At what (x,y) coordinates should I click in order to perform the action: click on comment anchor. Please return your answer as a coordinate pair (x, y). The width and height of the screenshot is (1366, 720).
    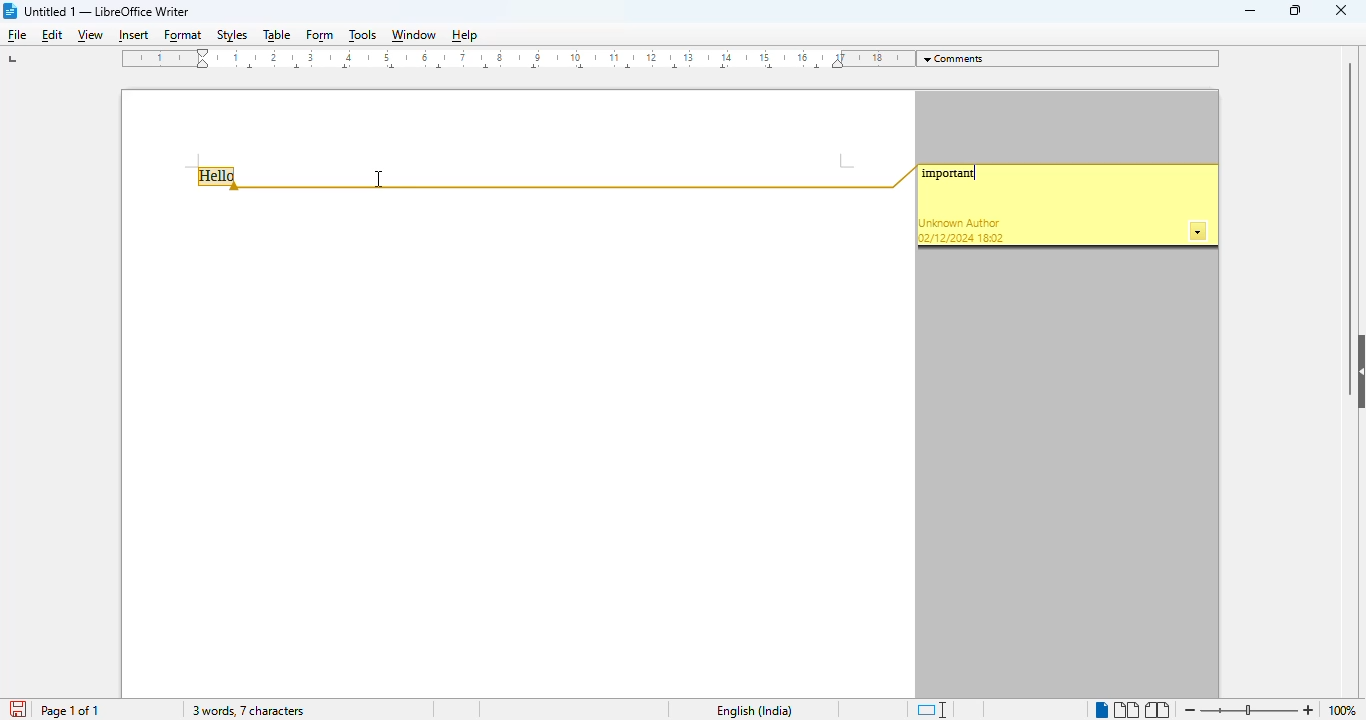
    Looking at the image, I should click on (580, 178).